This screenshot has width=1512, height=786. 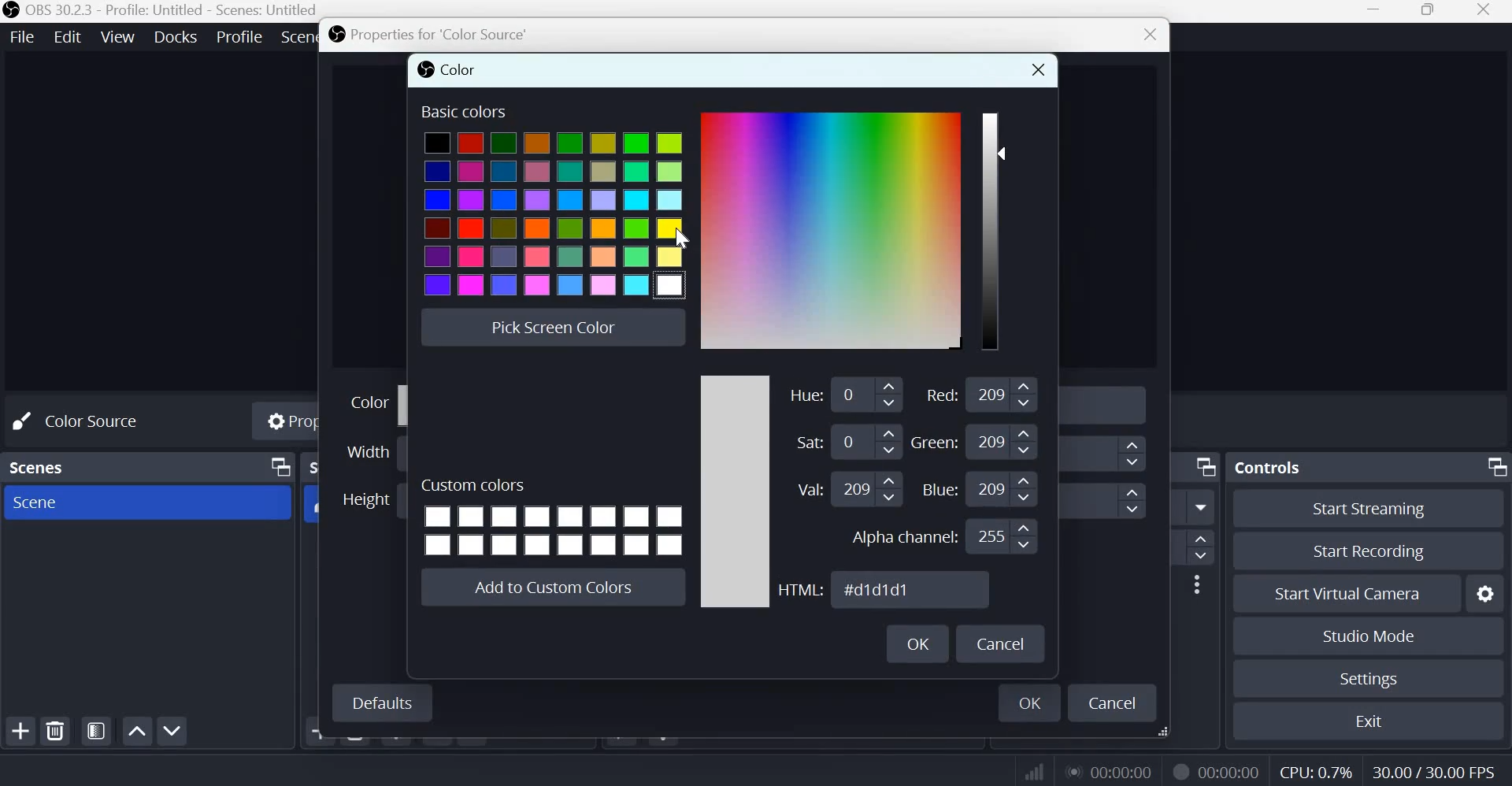 I want to click on Input, so click(x=1006, y=537).